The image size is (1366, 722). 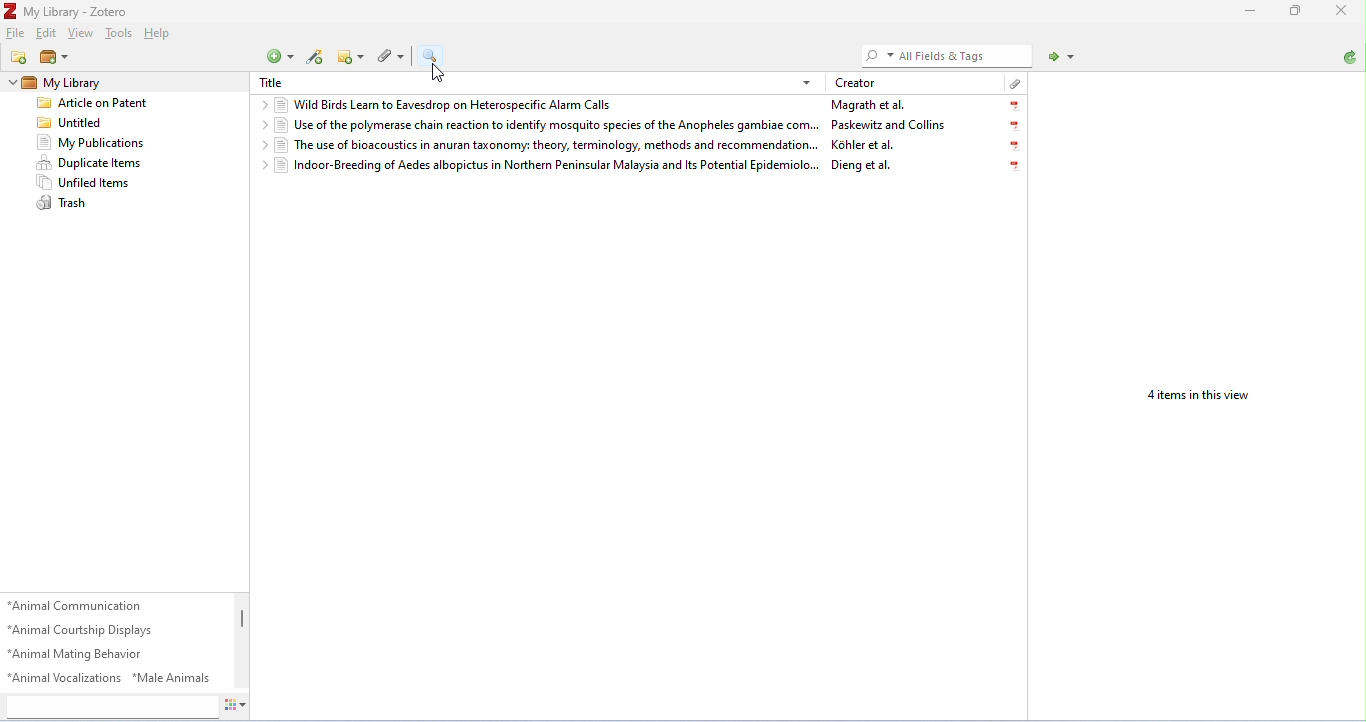 What do you see at coordinates (1015, 167) in the screenshot?
I see `pdf icon` at bounding box center [1015, 167].